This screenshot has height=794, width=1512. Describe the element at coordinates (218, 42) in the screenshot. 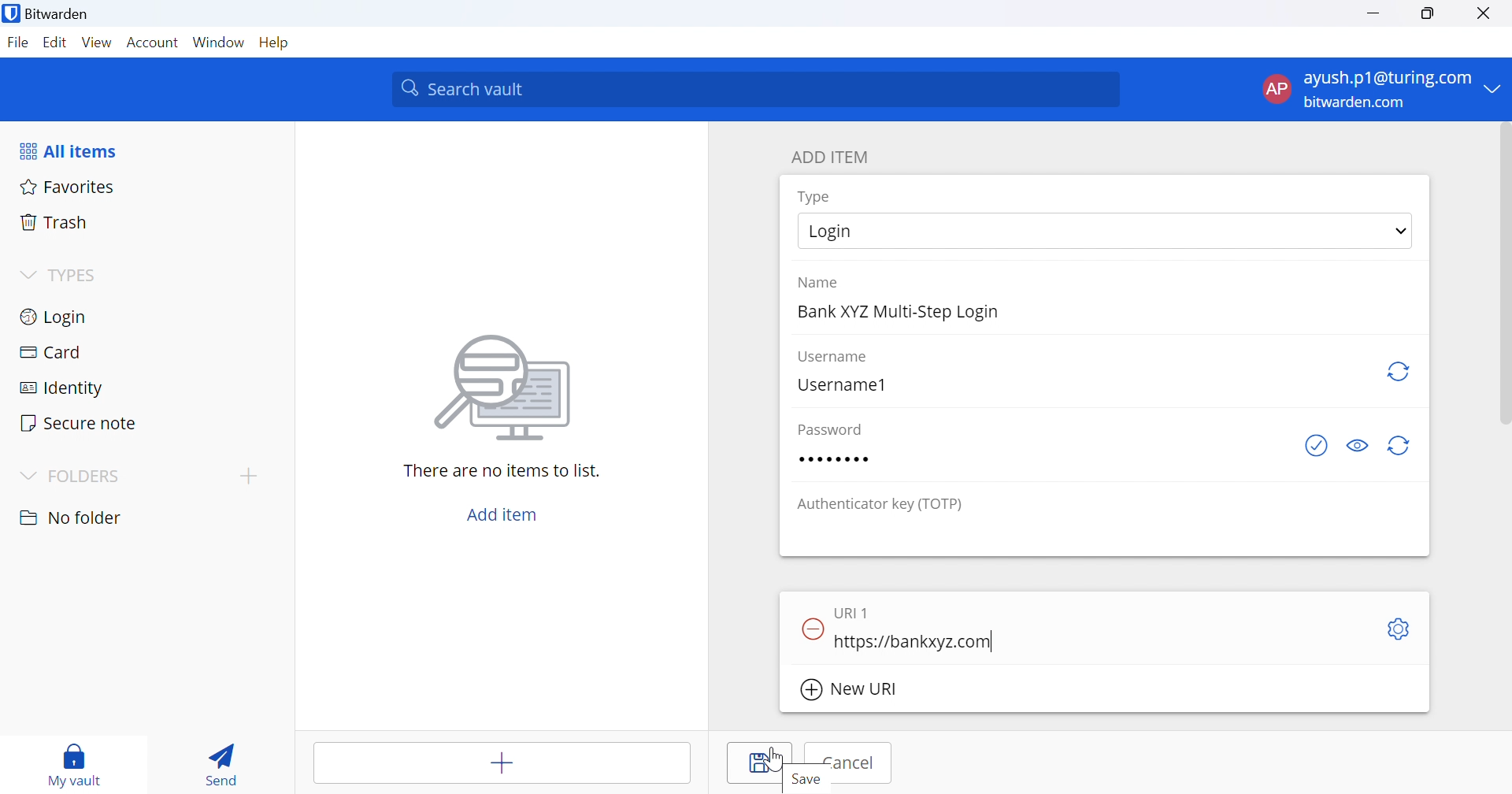

I see `Window` at that location.